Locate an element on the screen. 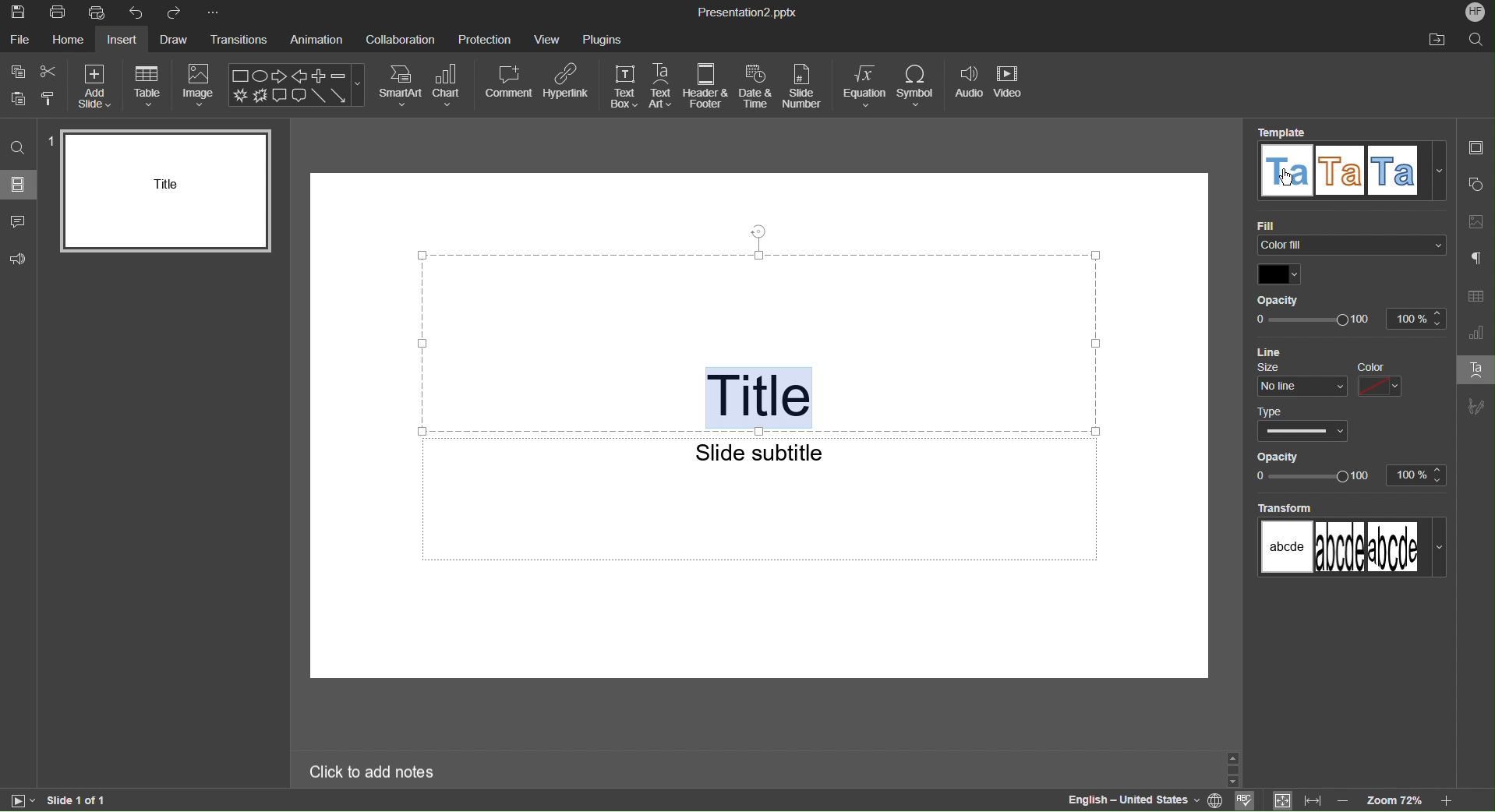 This screenshot has height=812, width=1495. Search is located at coordinates (1476, 41).